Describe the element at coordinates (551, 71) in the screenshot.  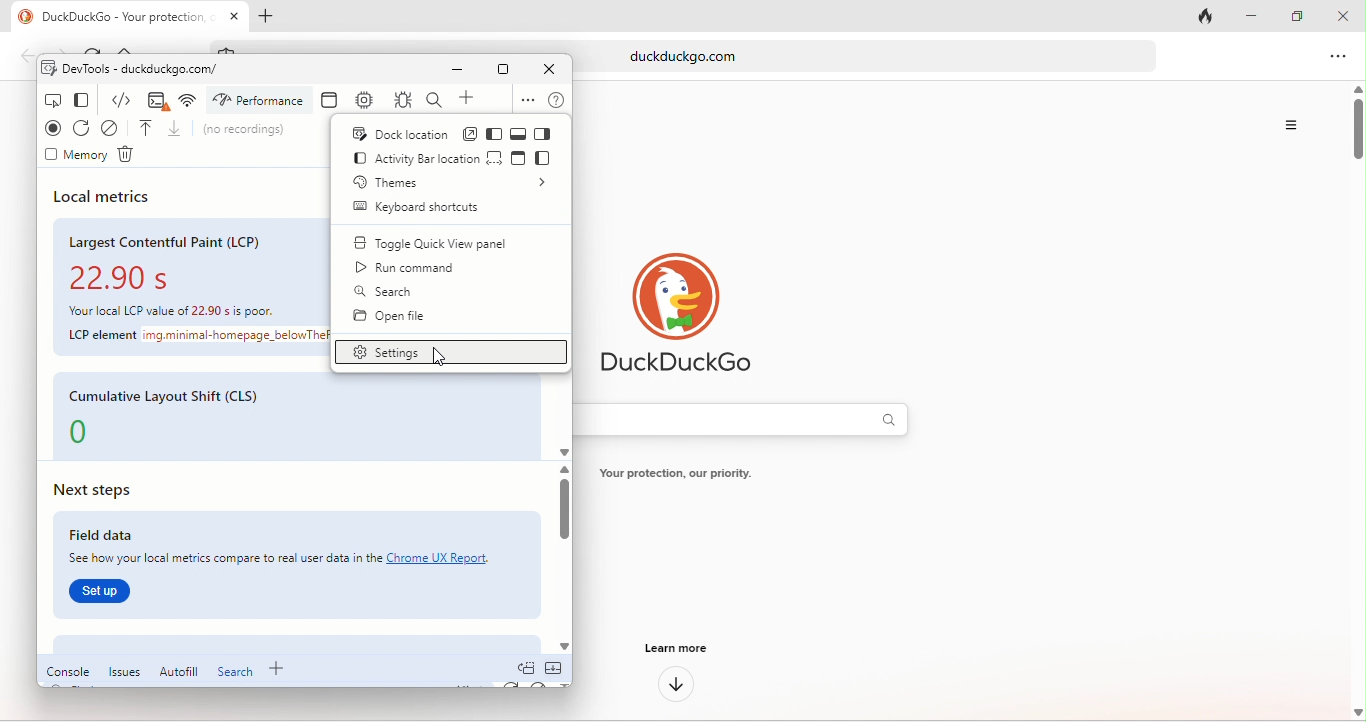
I see `close` at that location.